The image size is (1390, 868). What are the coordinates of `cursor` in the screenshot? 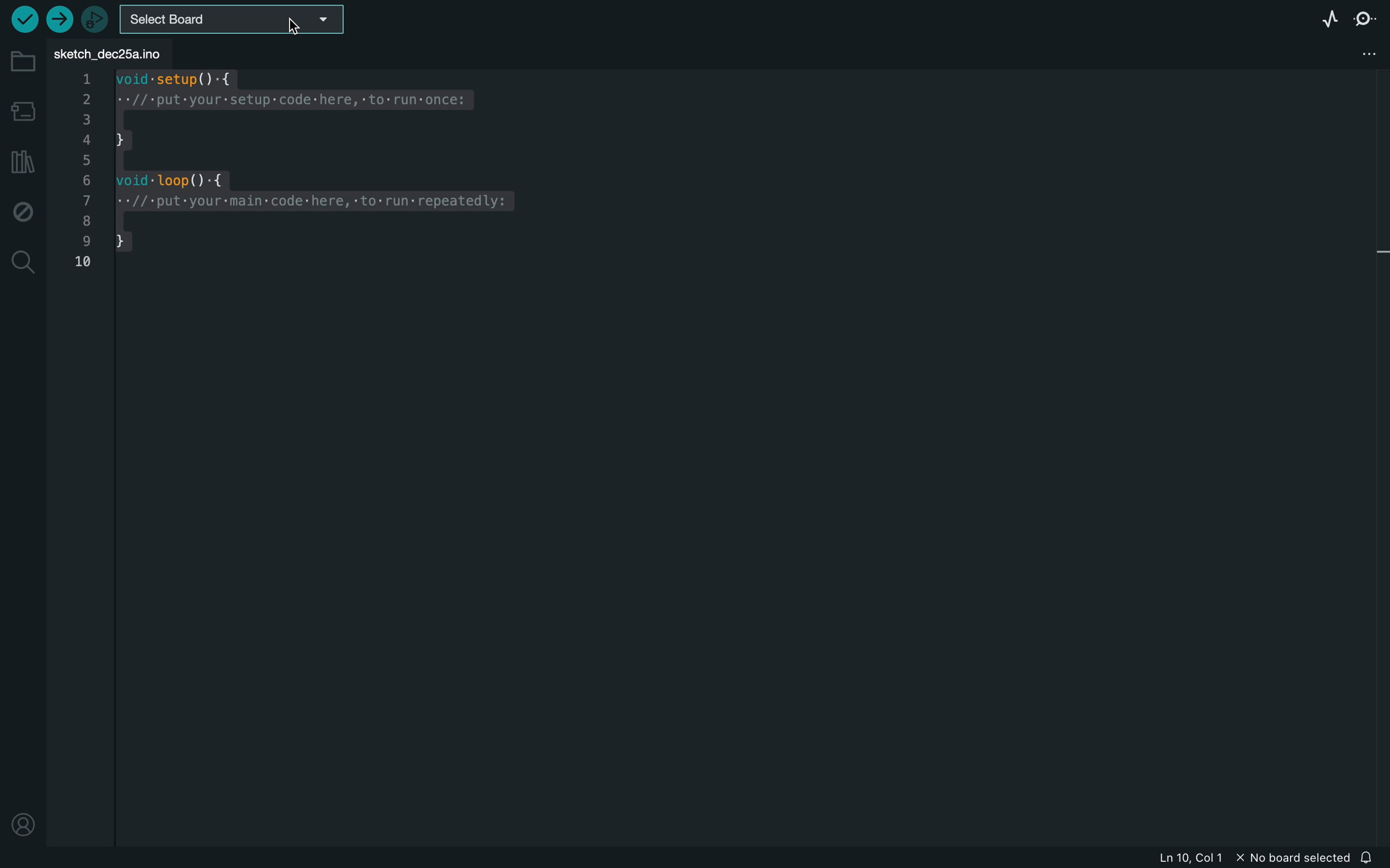 It's located at (295, 26).